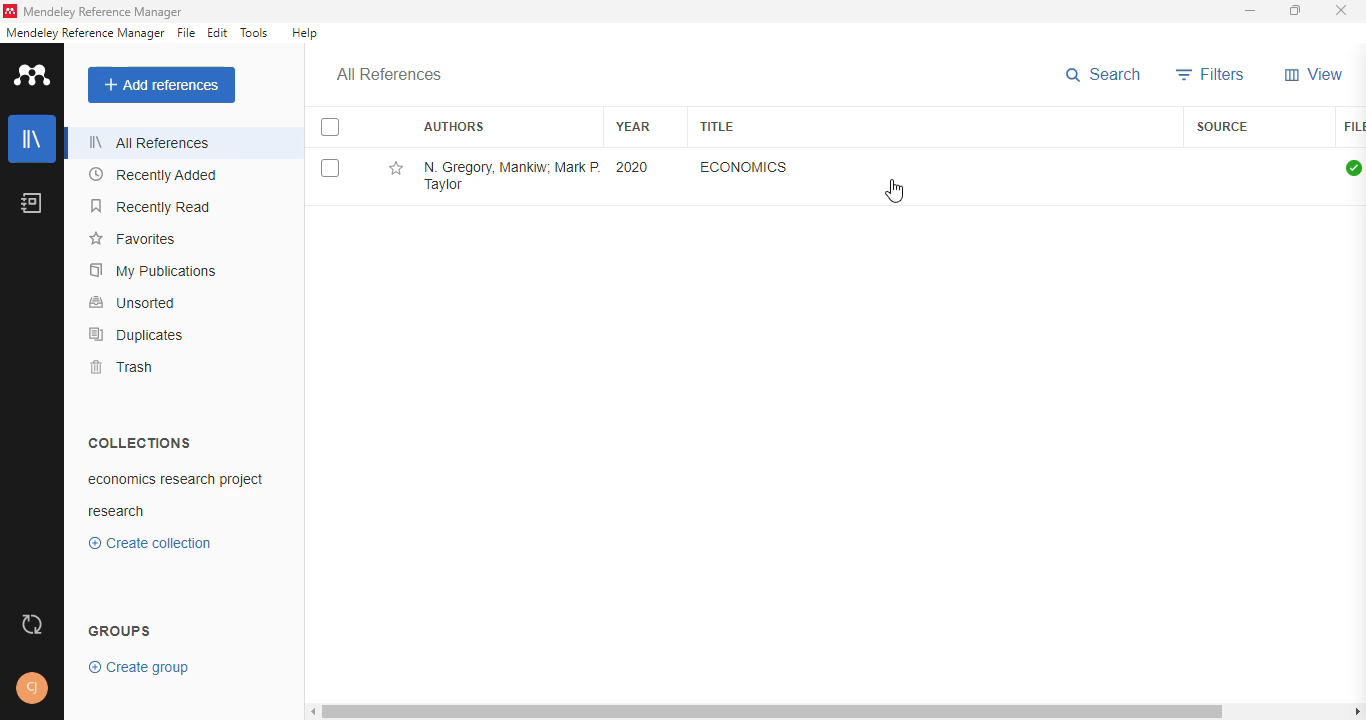 The height and width of the screenshot is (720, 1366). Describe the element at coordinates (85, 33) in the screenshot. I see `mendeley reference manager` at that location.